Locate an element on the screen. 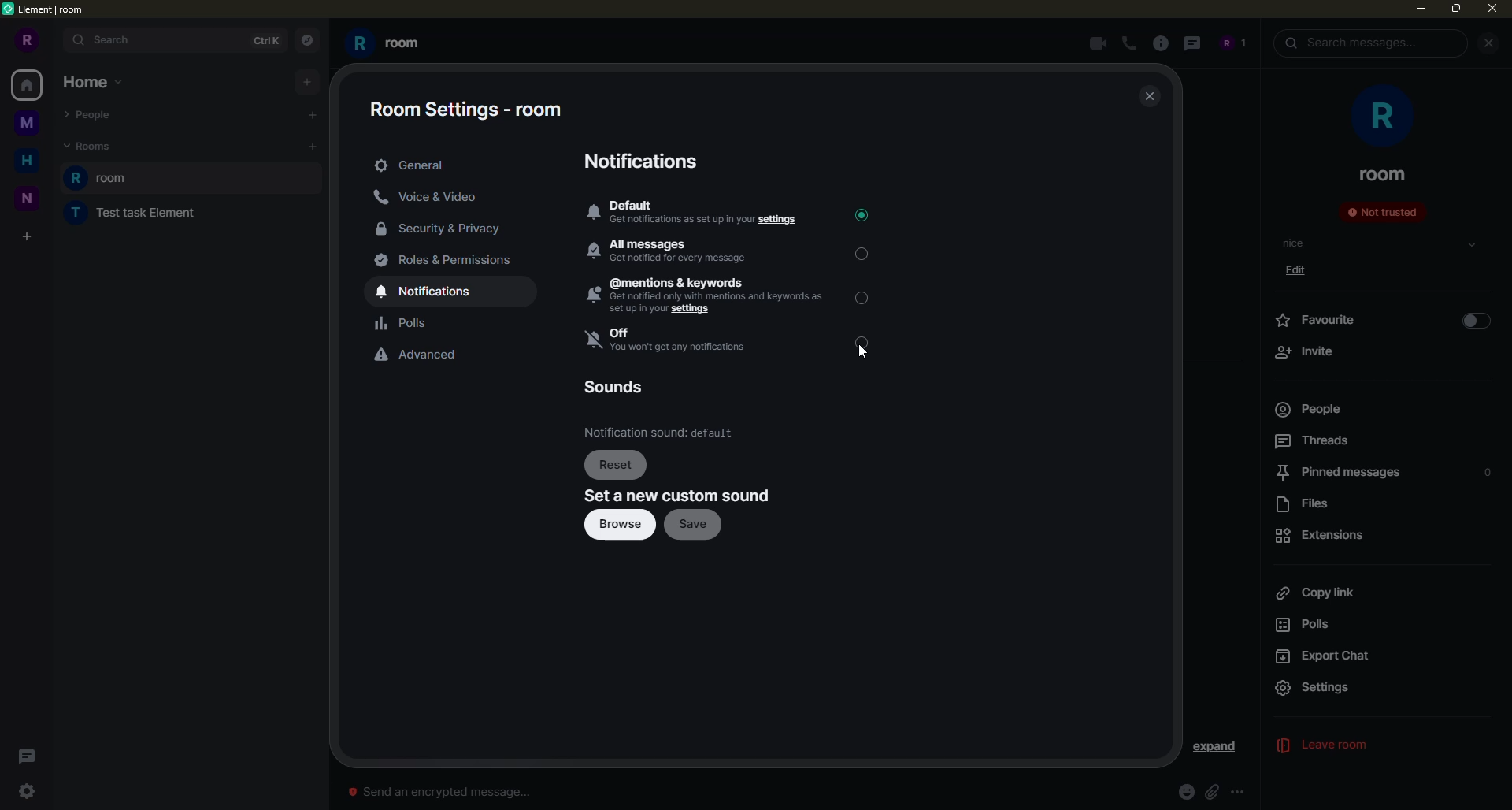 The image size is (1512, 810). room R is located at coordinates (195, 178).